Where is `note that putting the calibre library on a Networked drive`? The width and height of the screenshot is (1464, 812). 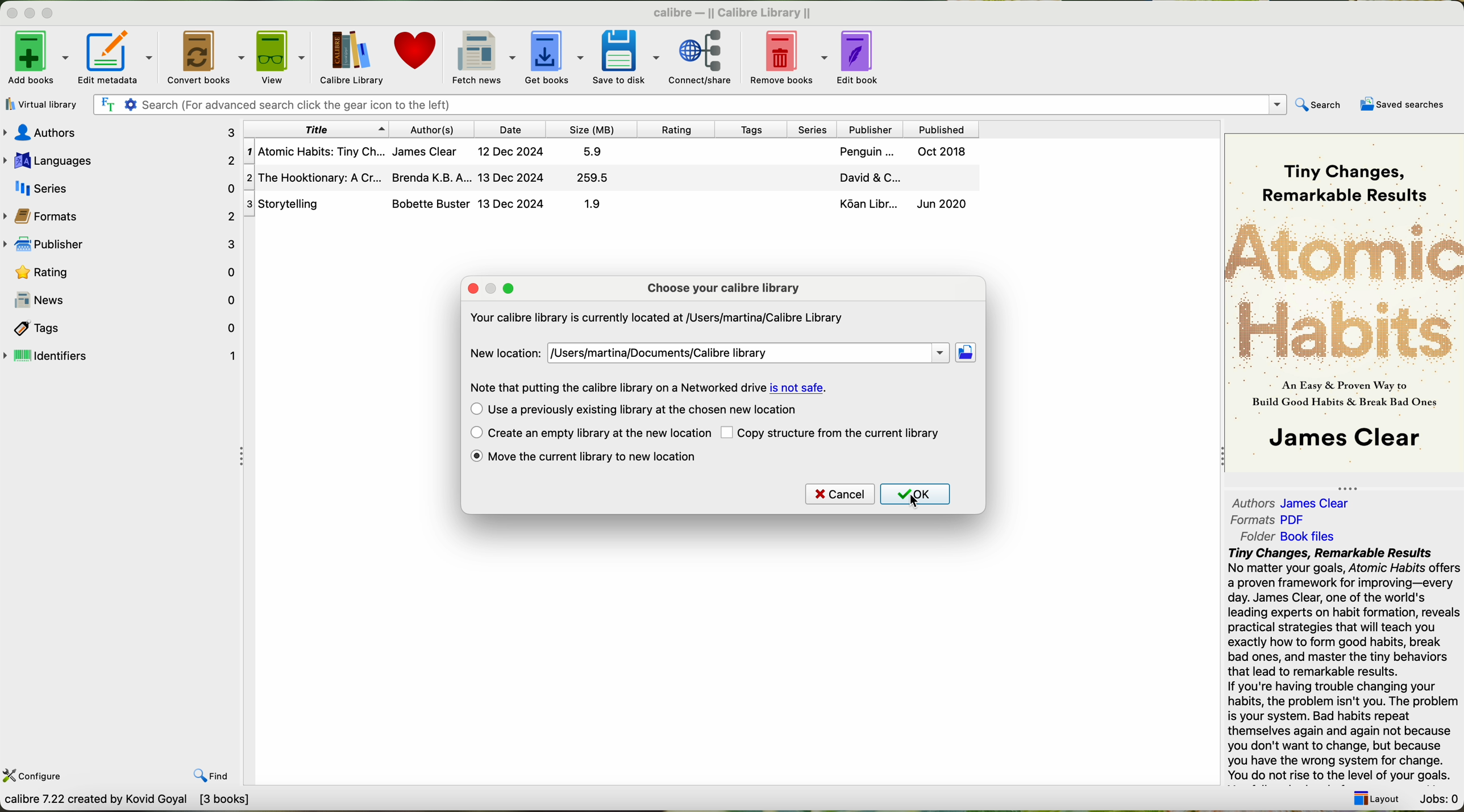 note that putting the calibre library on a Networked drive is located at coordinates (617, 387).